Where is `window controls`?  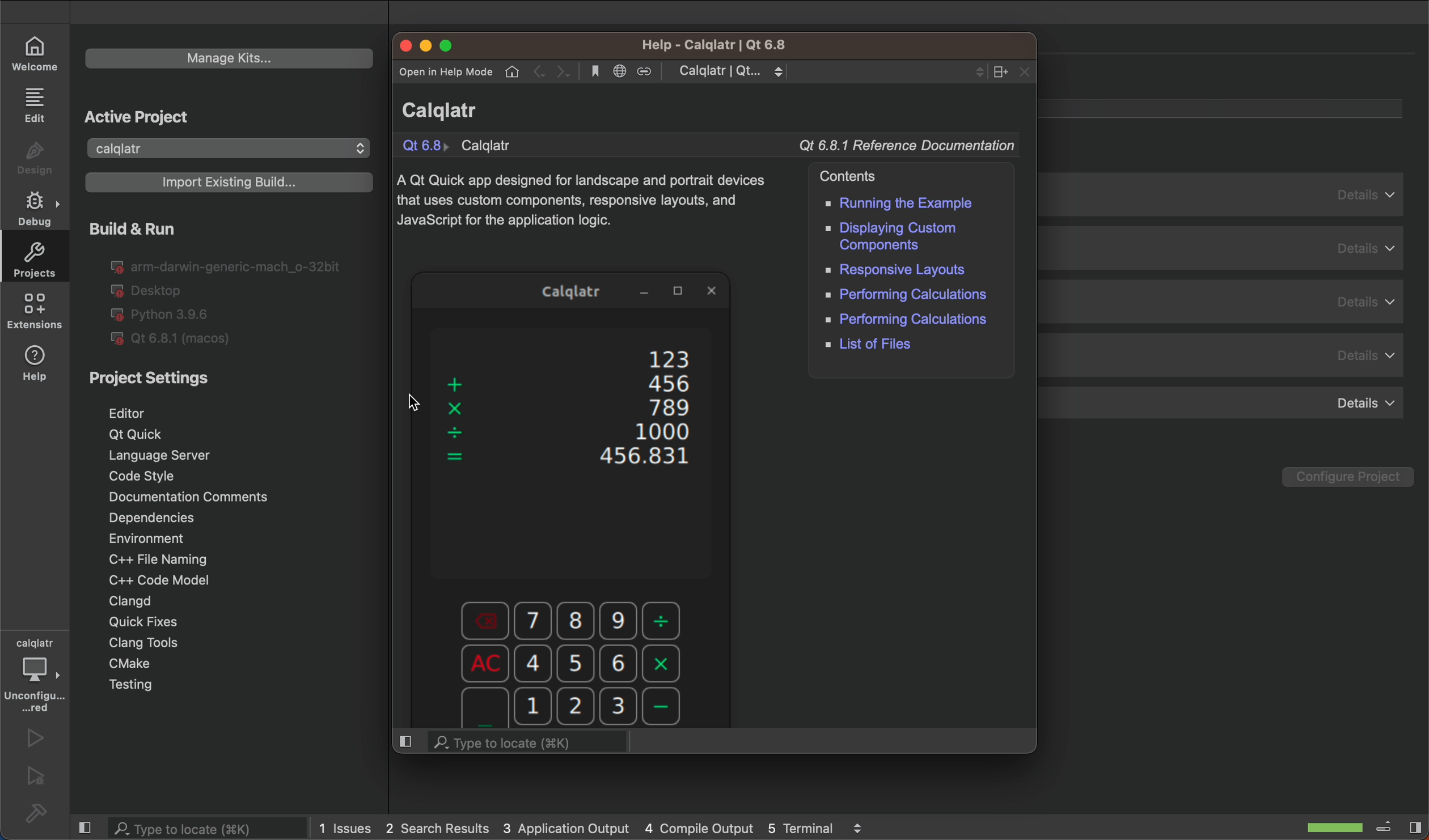
window controls is located at coordinates (433, 45).